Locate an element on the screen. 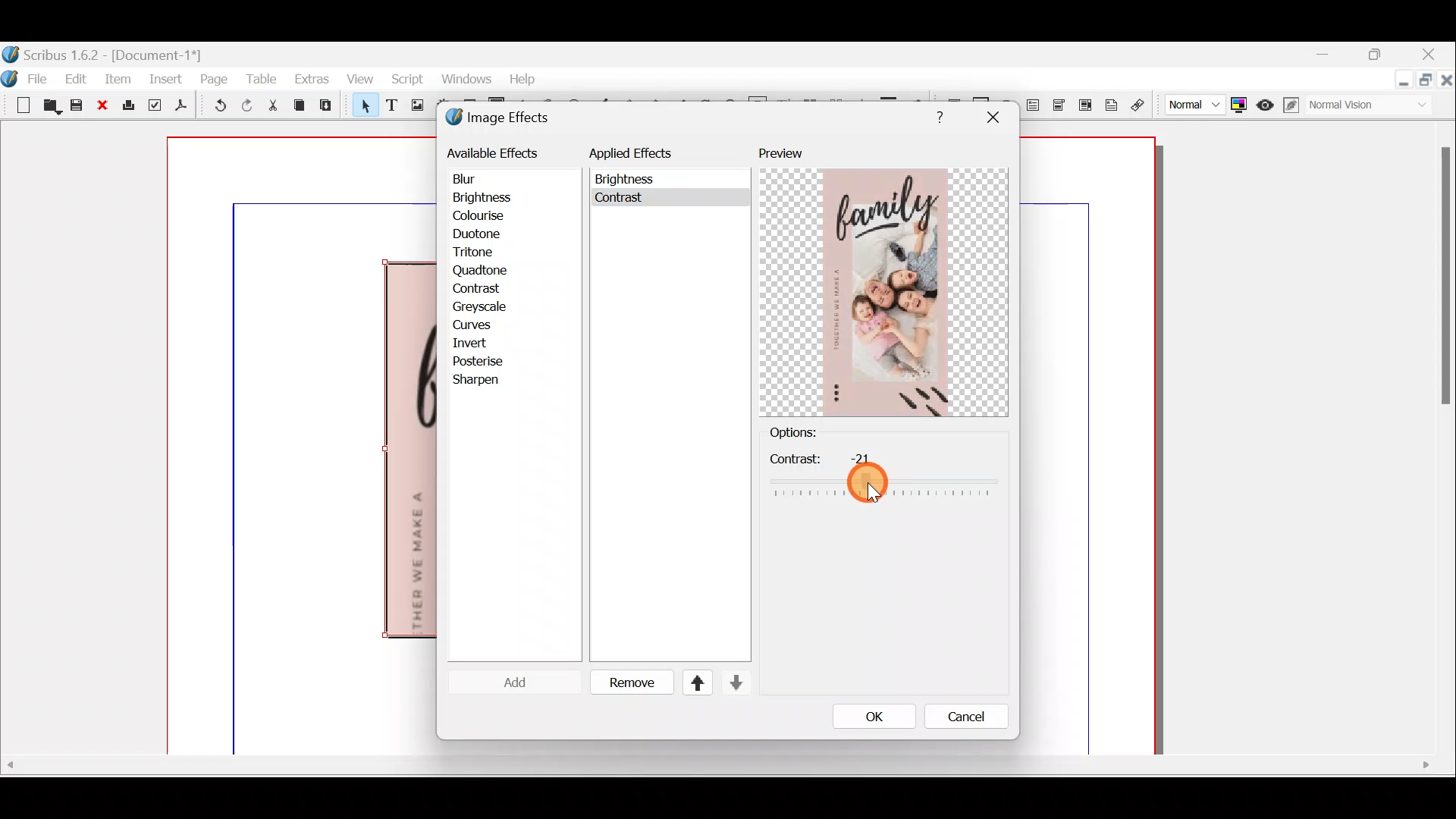 The height and width of the screenshot is (819, 1456). Duotone is located at coordinates (480, 235).